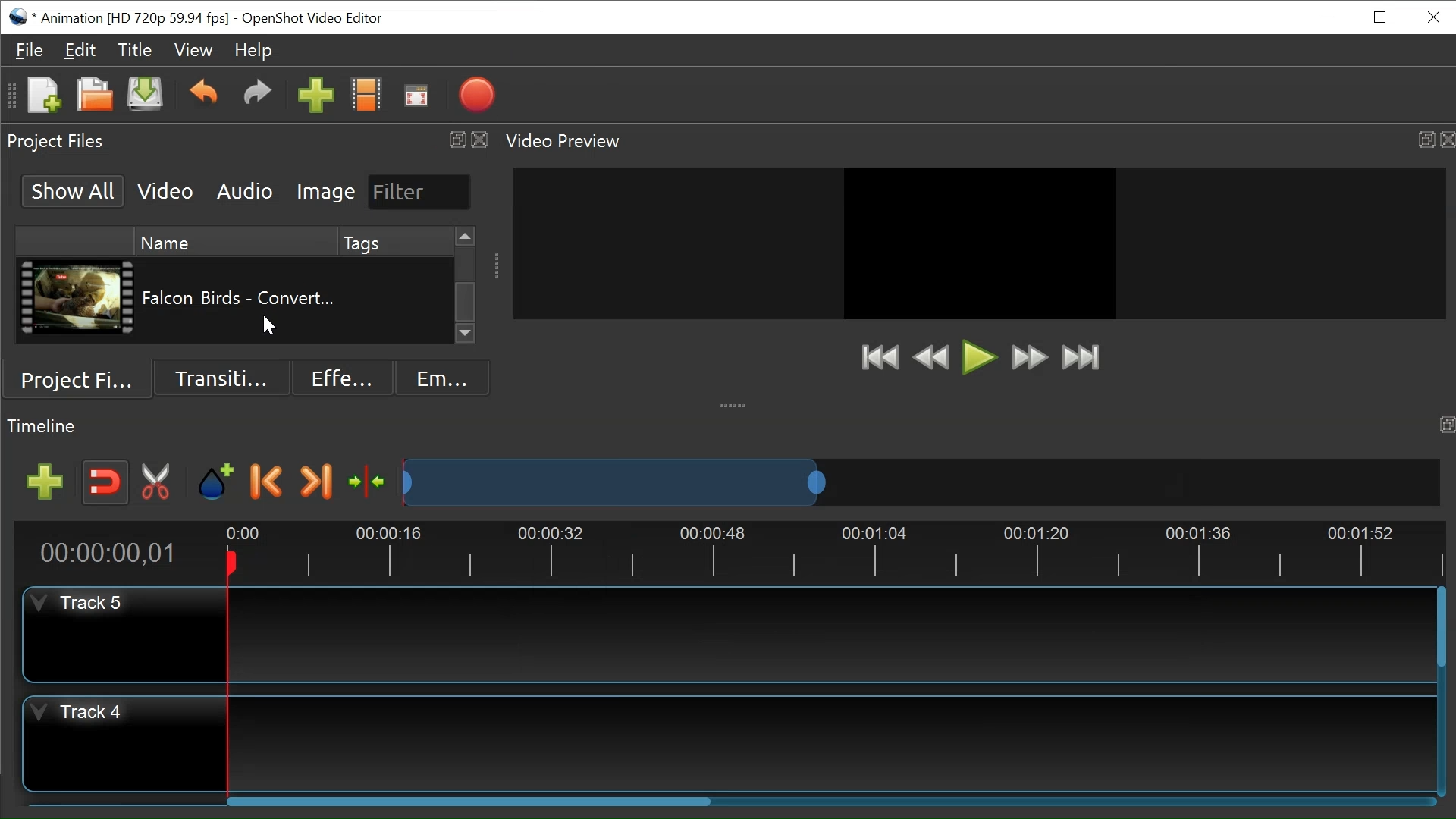 Image resolution: width=1456 pixels, height=819 pixels. What do you see at coordinates (880, 357) in the screenshot?
I see `Jump to Start` at bounding box center [880, 357].